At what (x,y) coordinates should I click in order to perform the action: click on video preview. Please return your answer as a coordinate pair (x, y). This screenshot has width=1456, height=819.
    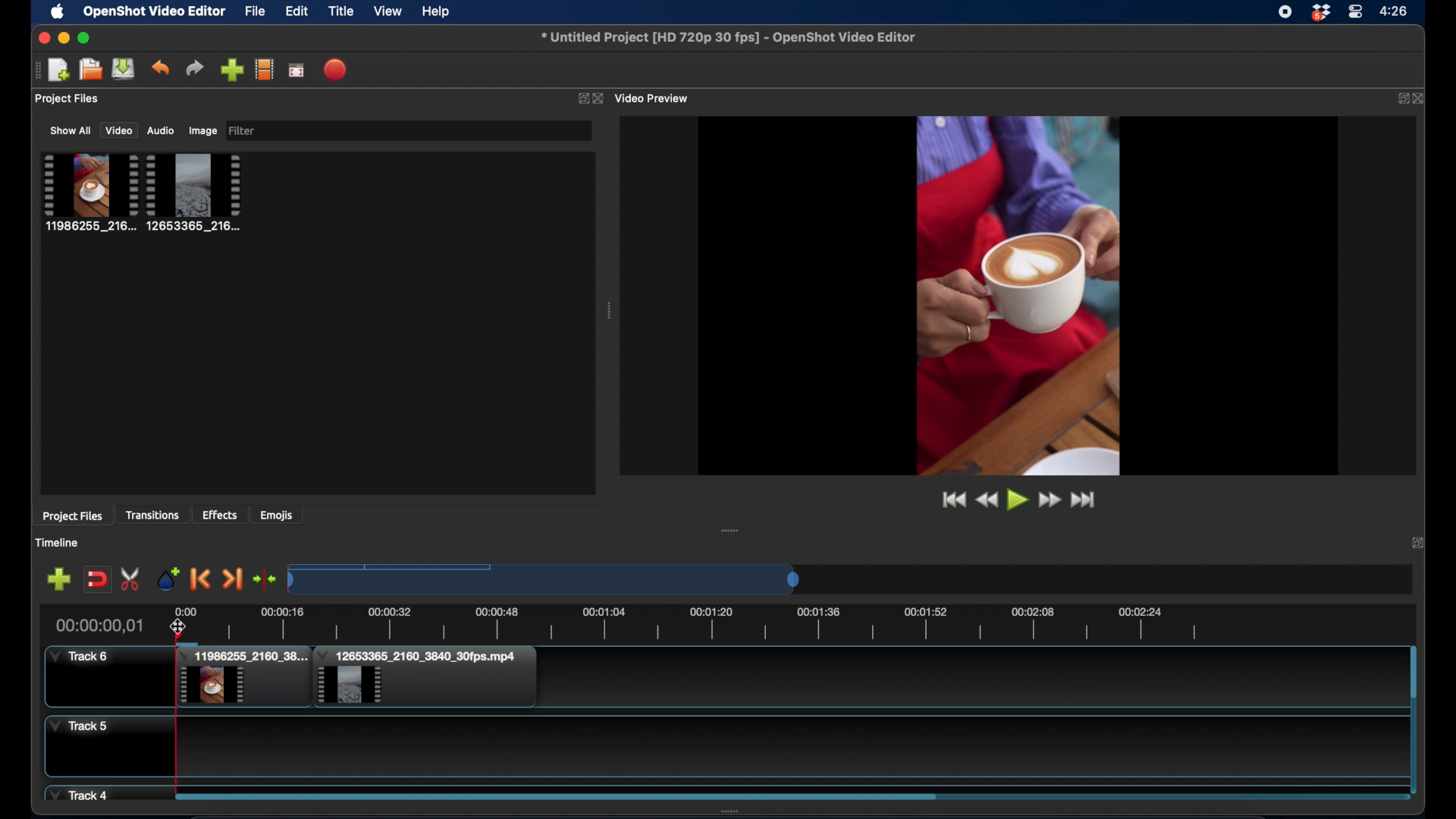
    Looking at the image, I should click on (654, 98).